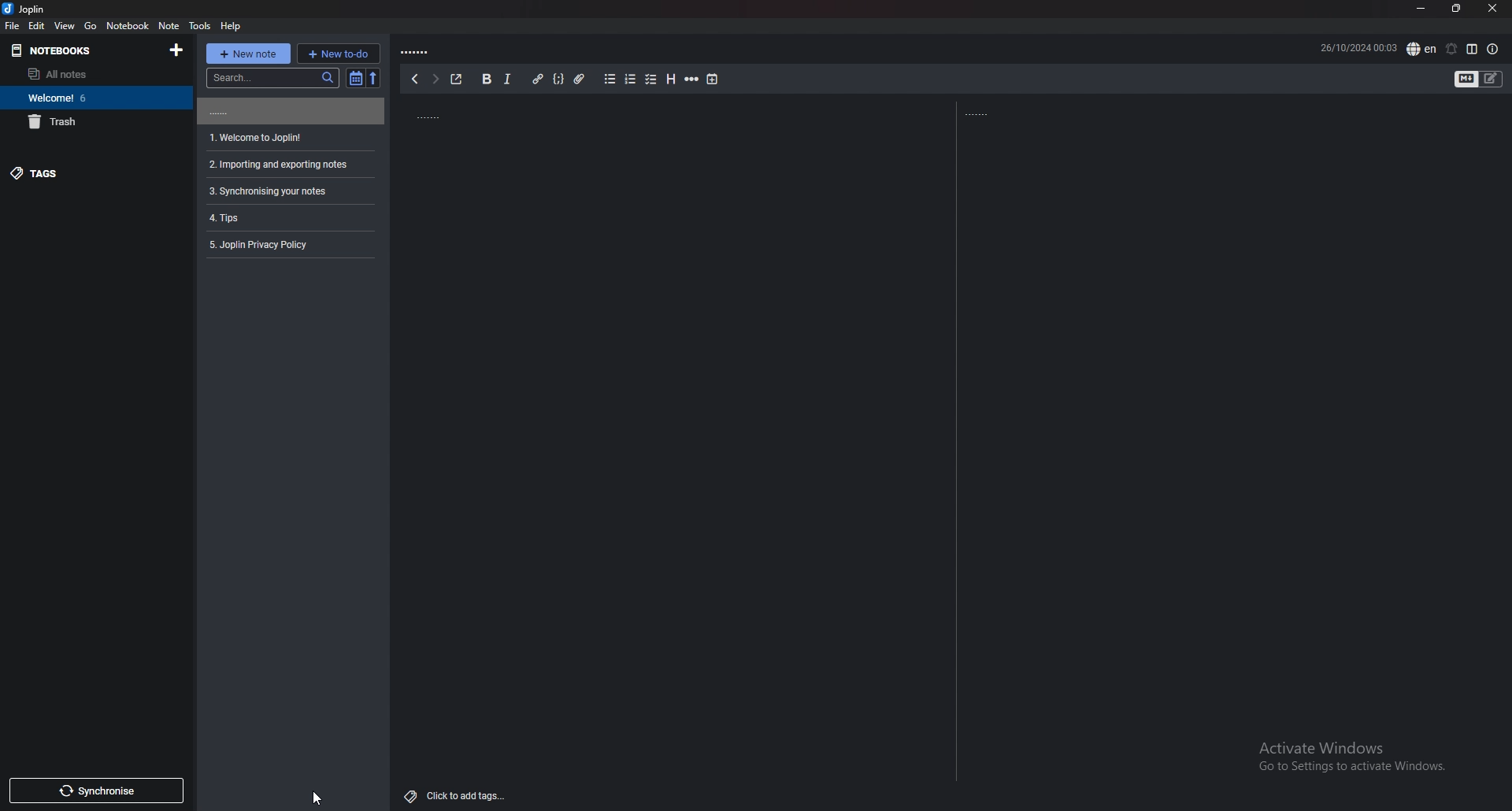 The image size is (1512, 811). Describe the element at coordinates (91, 98) in the screenshot. I see `welcome` at that location.